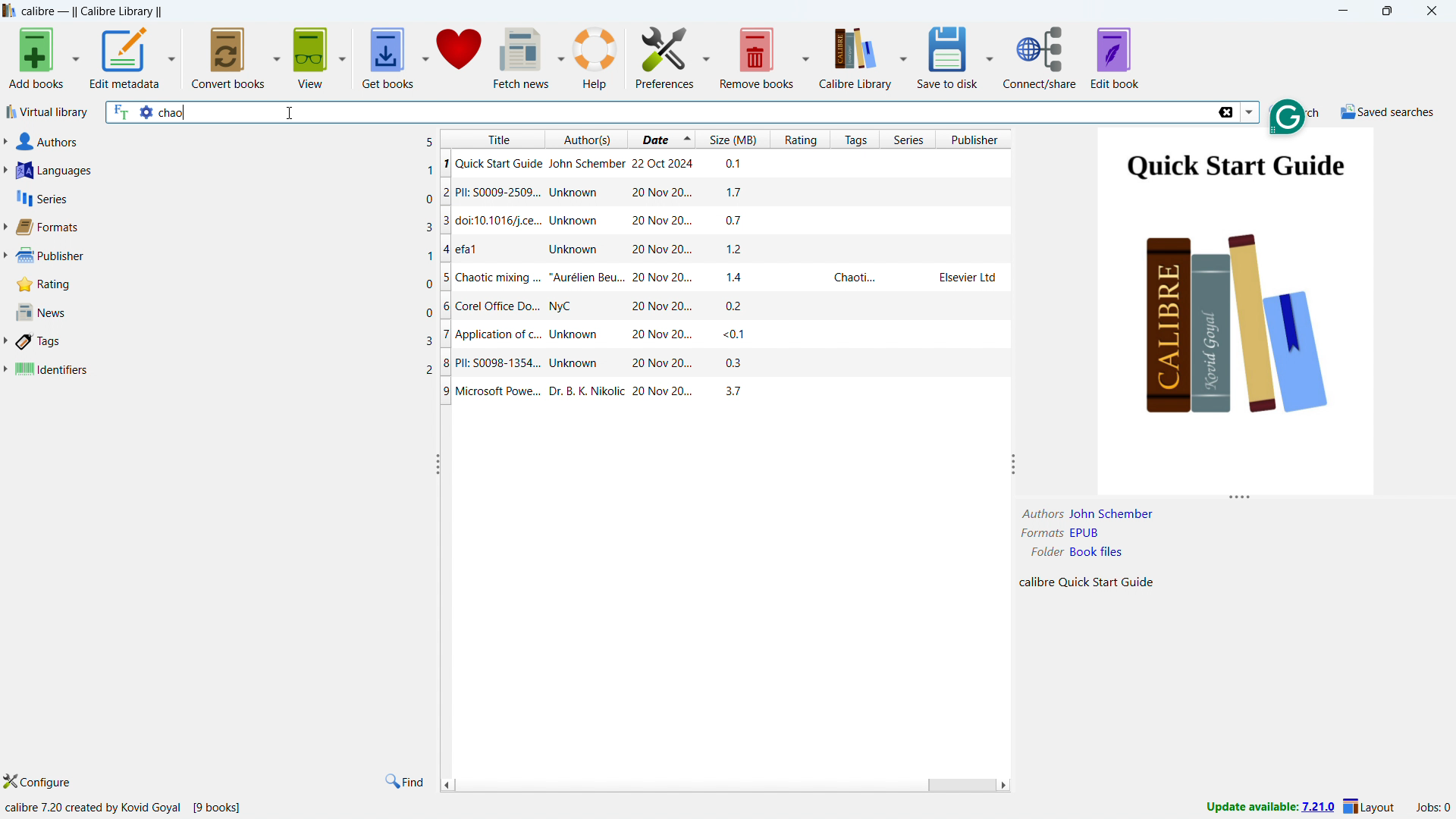 The height and width of the screenshot is (819, 1456). What do you see at coordinates (93, 806) in the screenshot?
I see `calibre 7.20 created by kovid Goyal` at bounding box center [93, 806].